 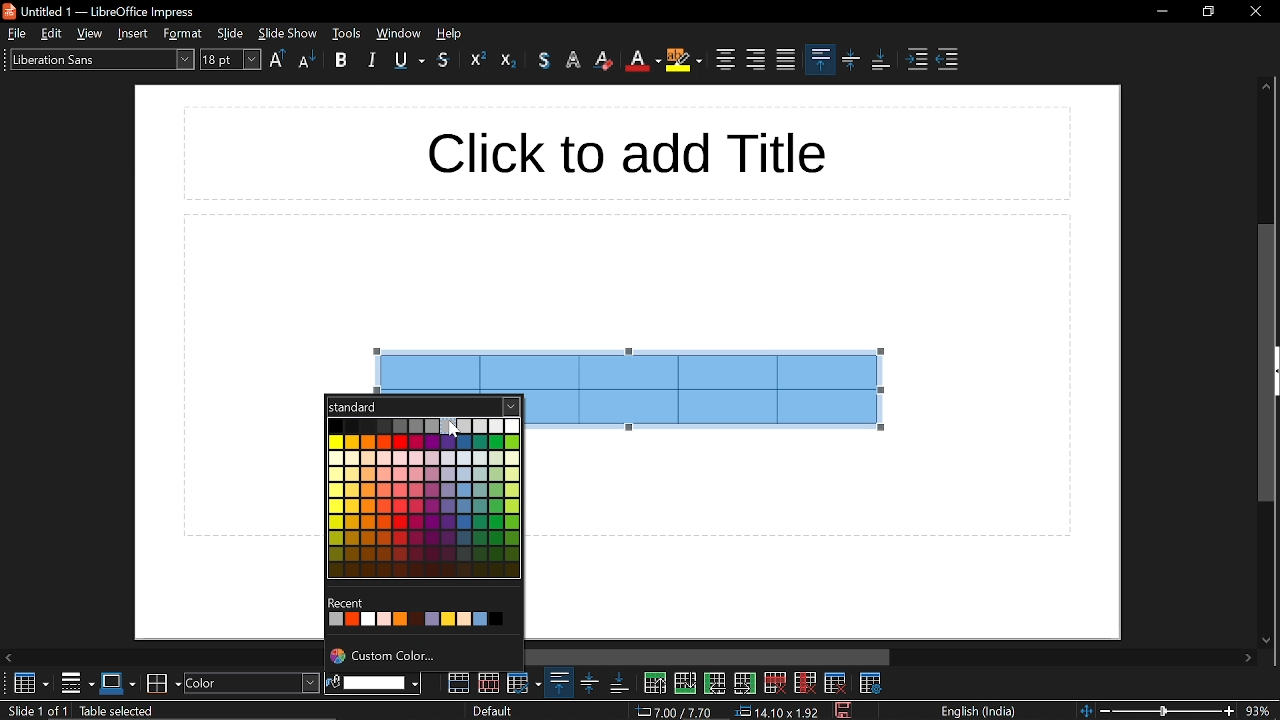 What do you see at coordinates (1250, 12) in the screenshot?
I see `close` at bounding box center [1250, 12].